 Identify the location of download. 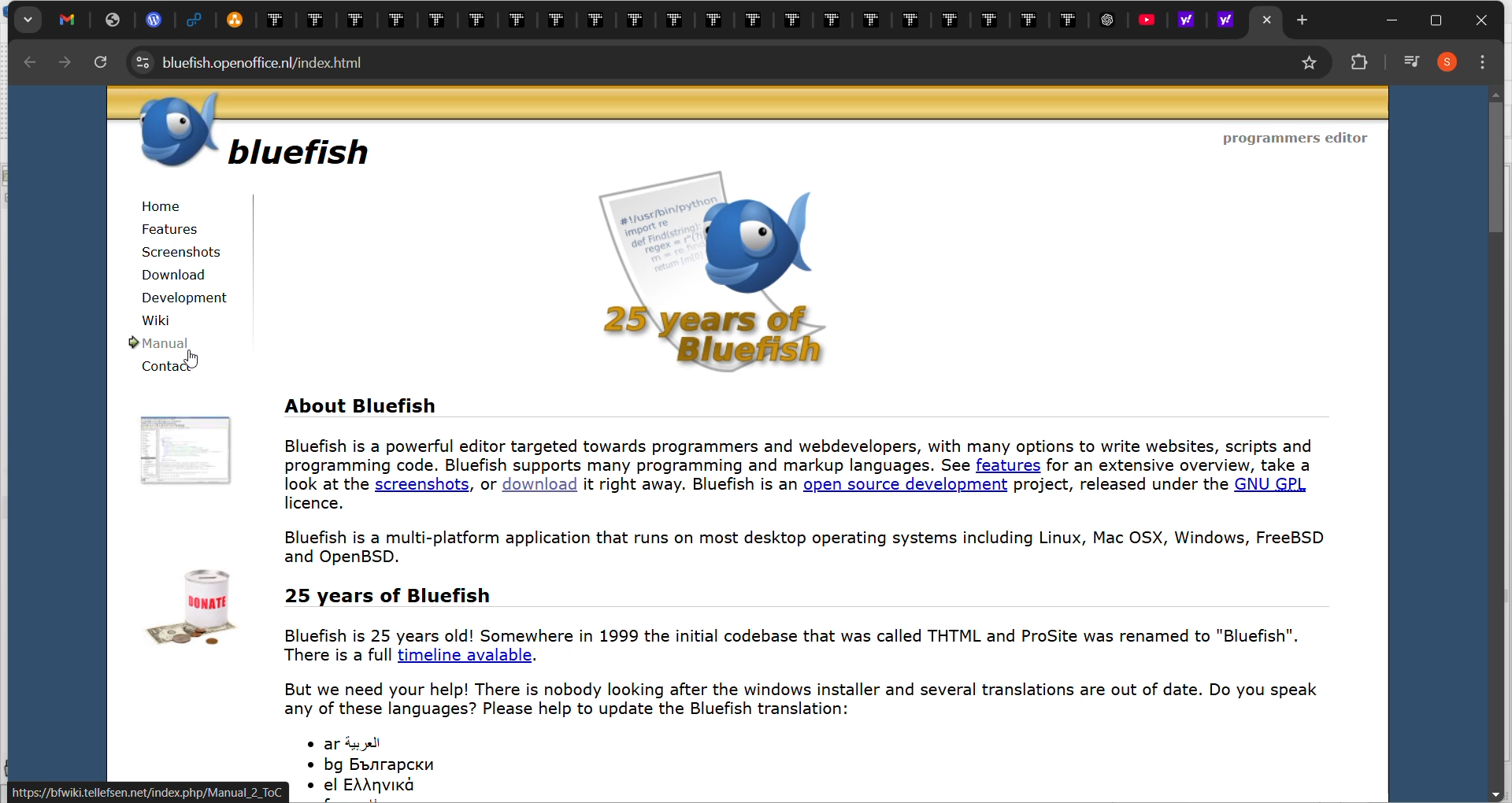
(175, 276).